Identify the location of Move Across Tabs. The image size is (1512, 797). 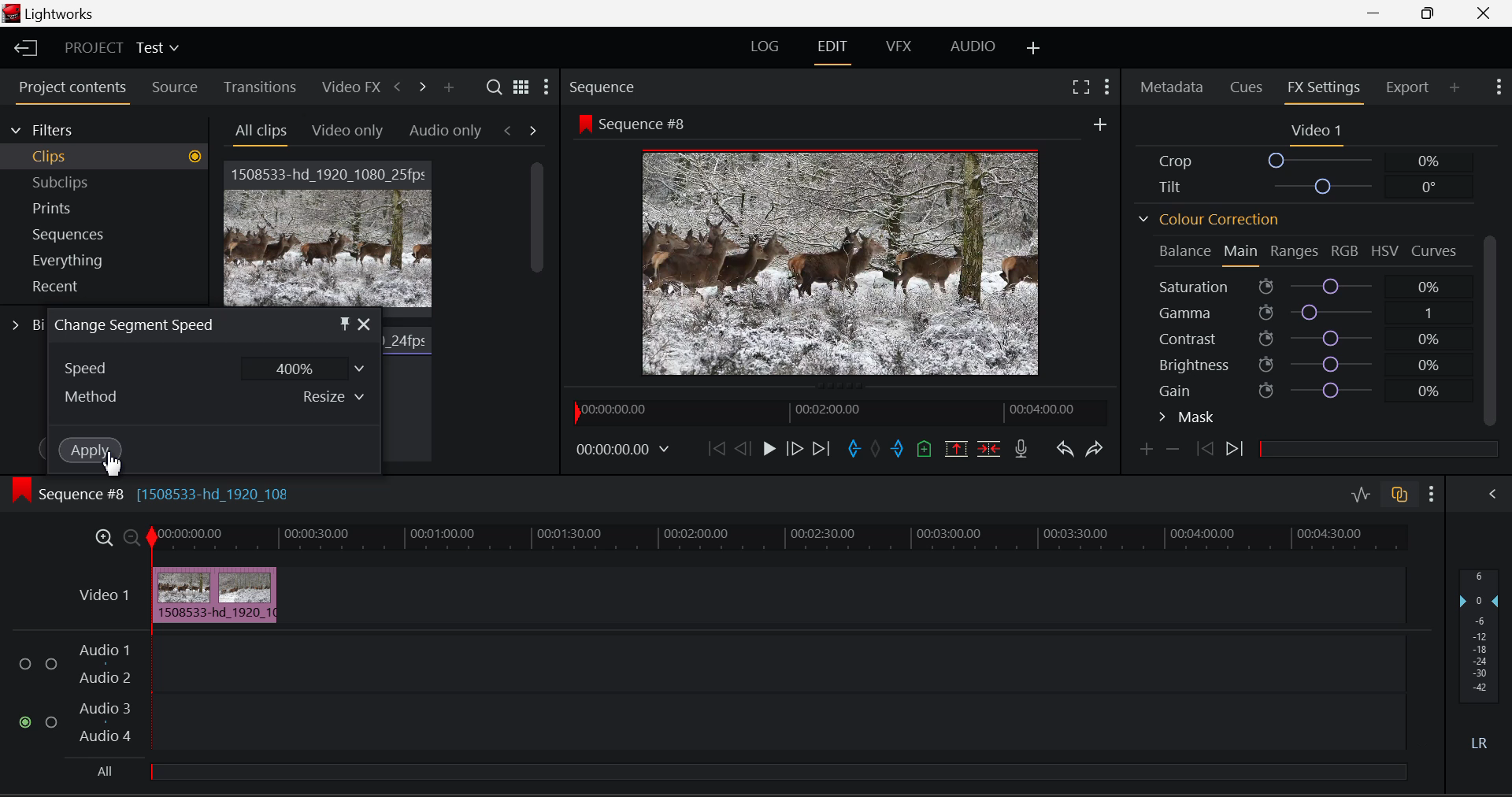
(410, 87).